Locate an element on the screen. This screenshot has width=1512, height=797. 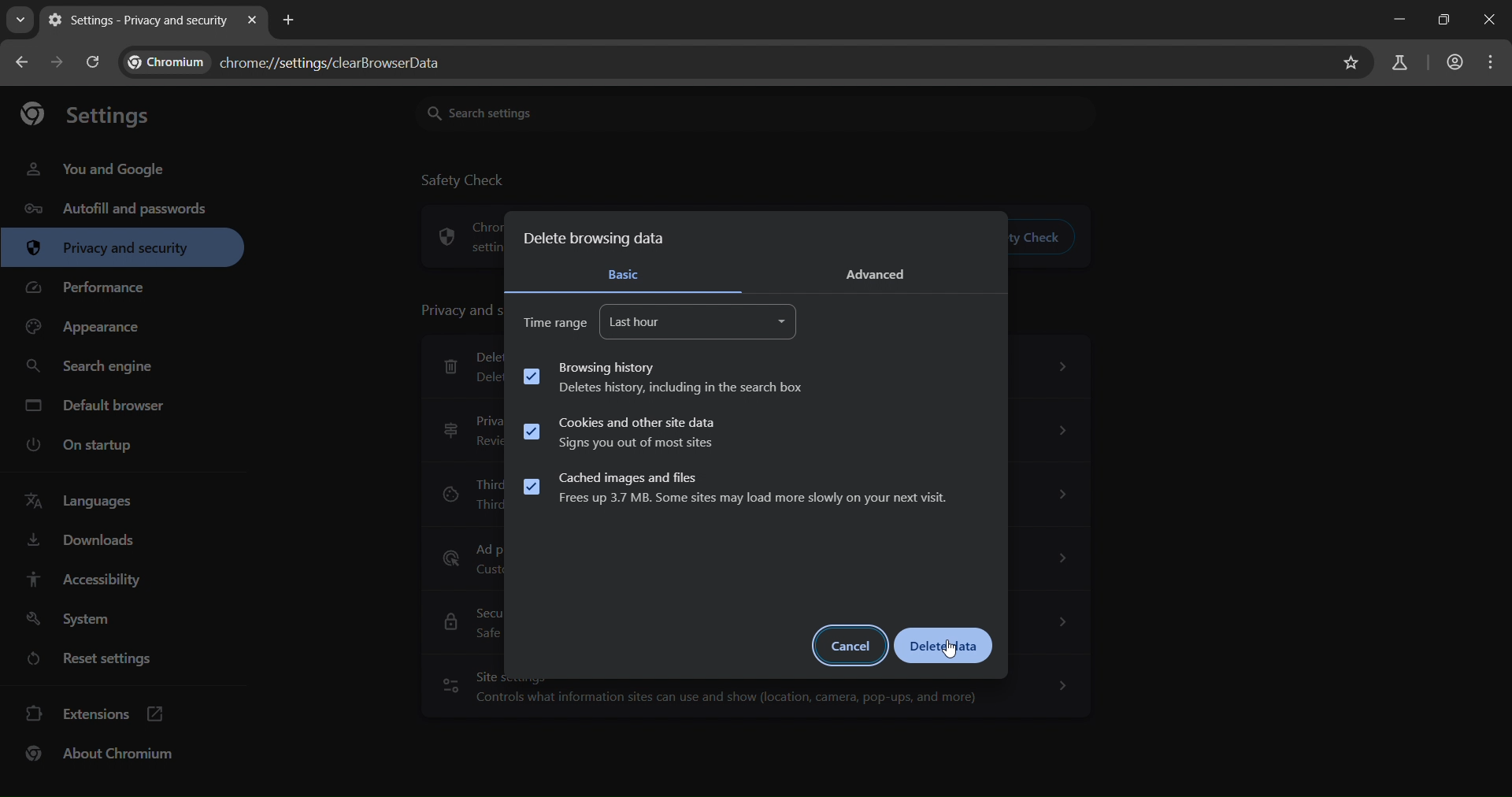
Cached images and files
Frees up 3.7 MB. Some sites may load more slowly on your next visit. is located at coordinates (734, 490).